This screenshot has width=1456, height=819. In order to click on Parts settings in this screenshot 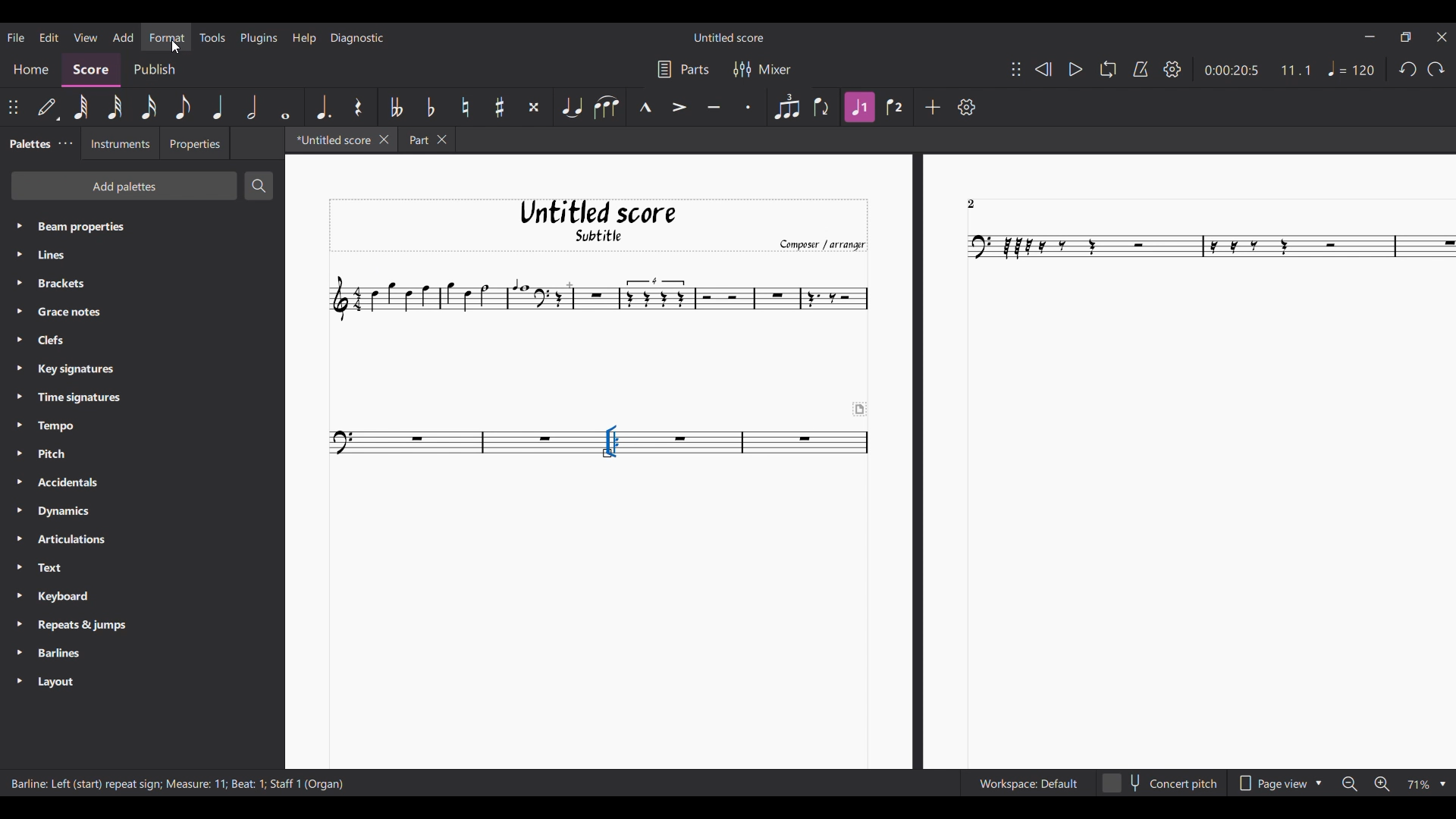, I will do `click(684, 69)`.